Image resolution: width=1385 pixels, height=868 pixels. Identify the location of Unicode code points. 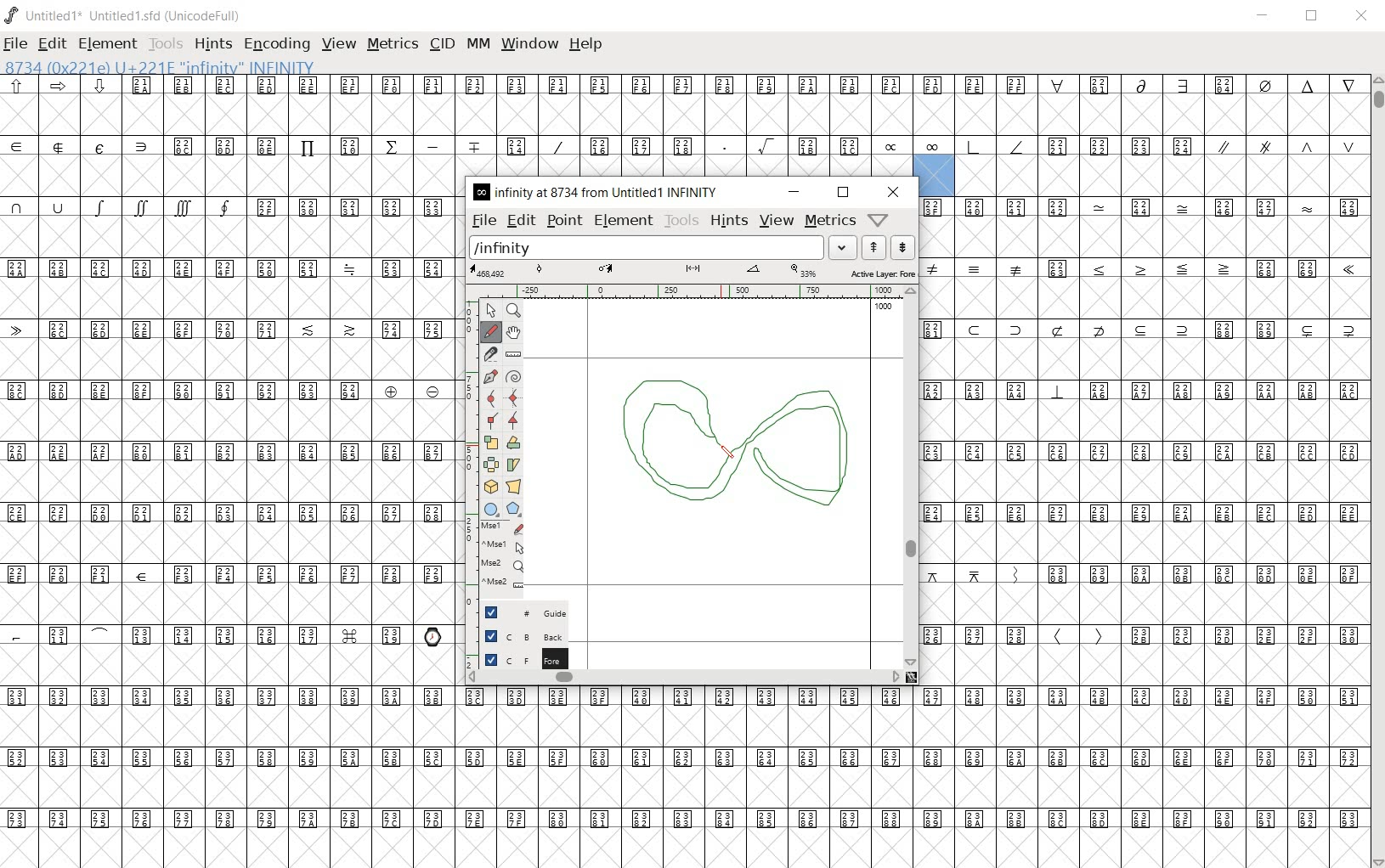
(1162, 328).